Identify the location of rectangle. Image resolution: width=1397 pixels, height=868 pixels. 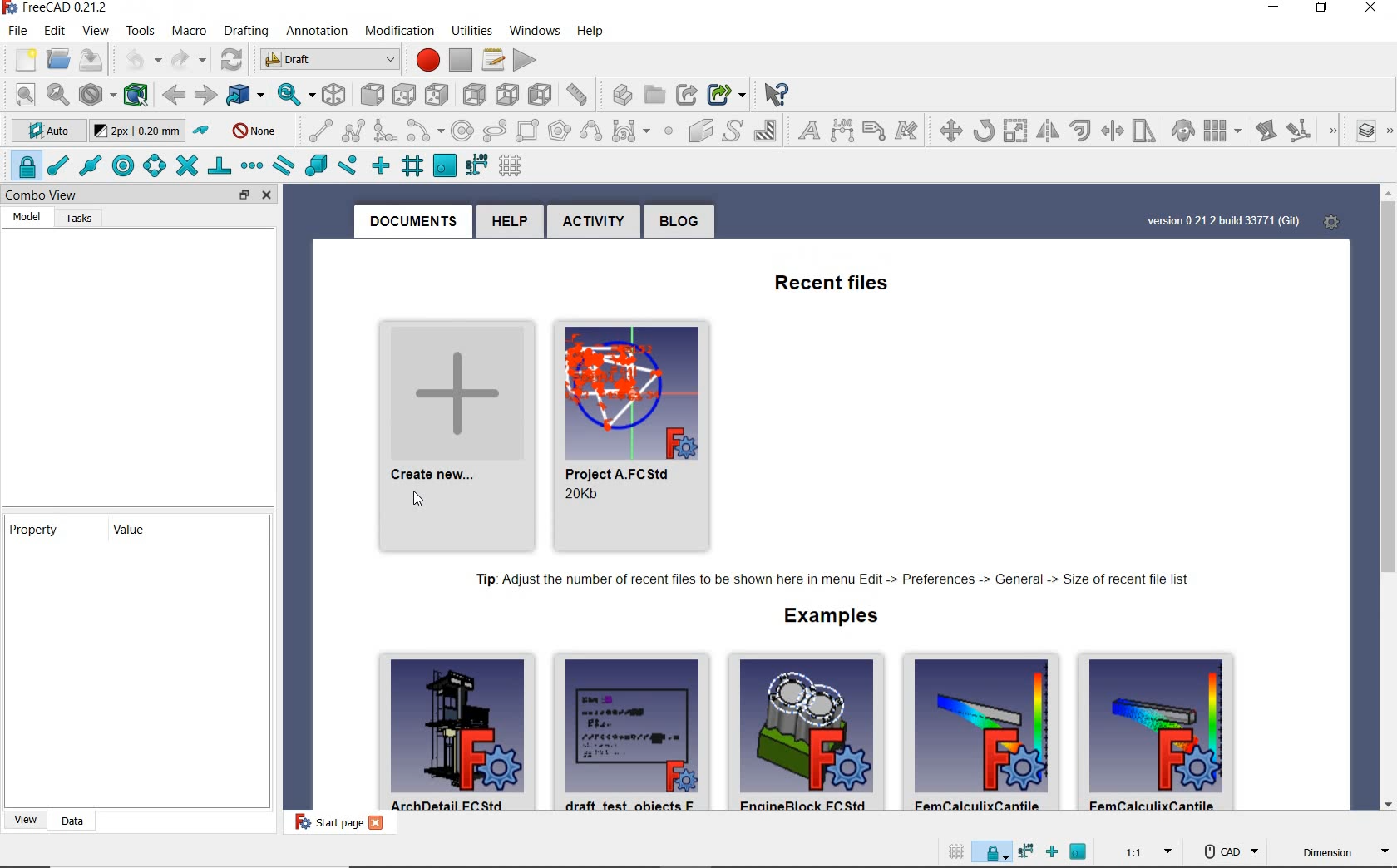
(528, 131).